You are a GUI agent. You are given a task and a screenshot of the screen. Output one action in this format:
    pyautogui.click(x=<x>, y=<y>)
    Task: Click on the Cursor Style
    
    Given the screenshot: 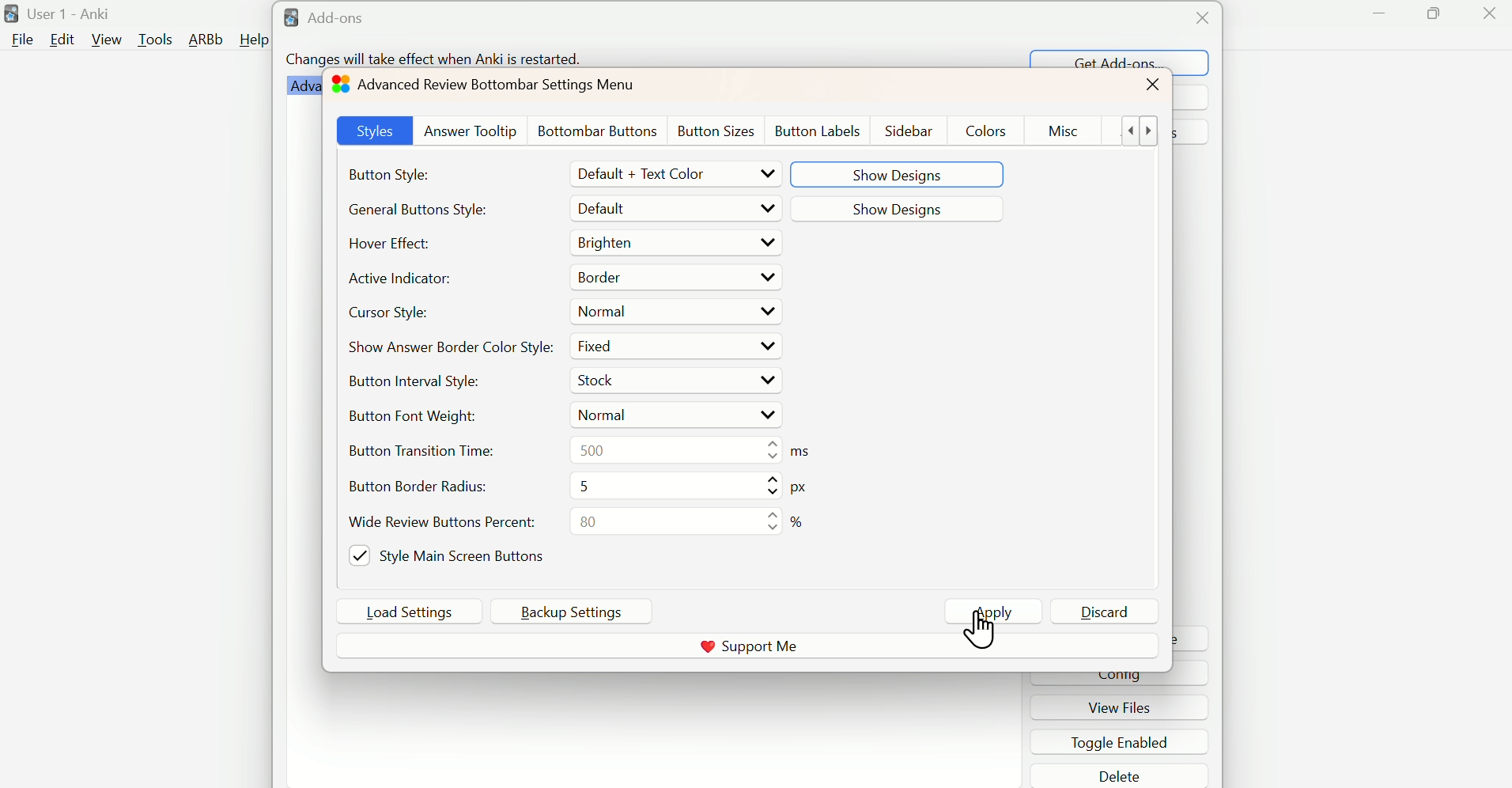 What is the action you would take?
    pyautogui.click(x=387, y=314)
    